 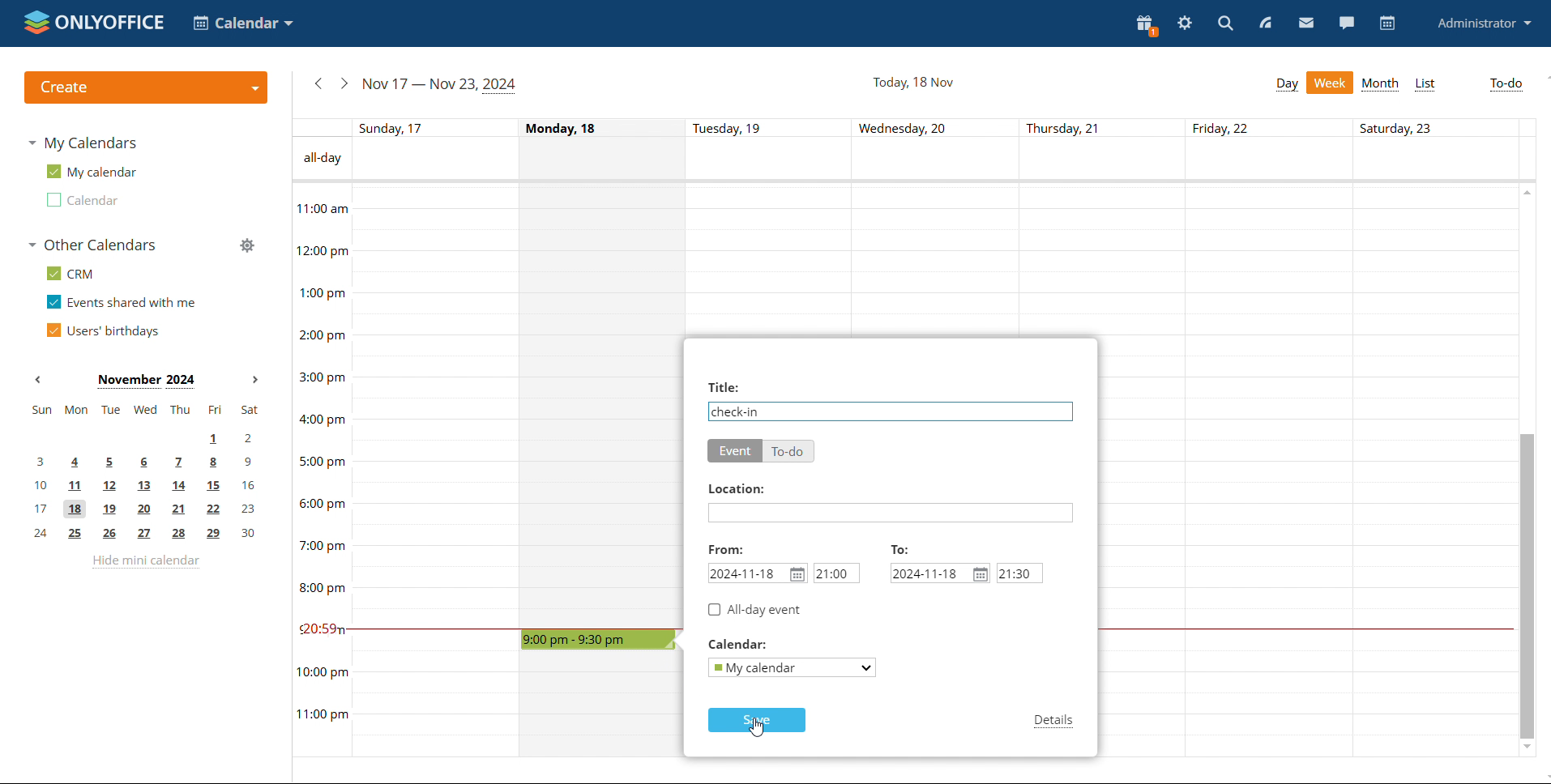 What do you see at coordinates (794, 668) in the screenshot?
I see `select calendar` at bounding box center [794, 668].